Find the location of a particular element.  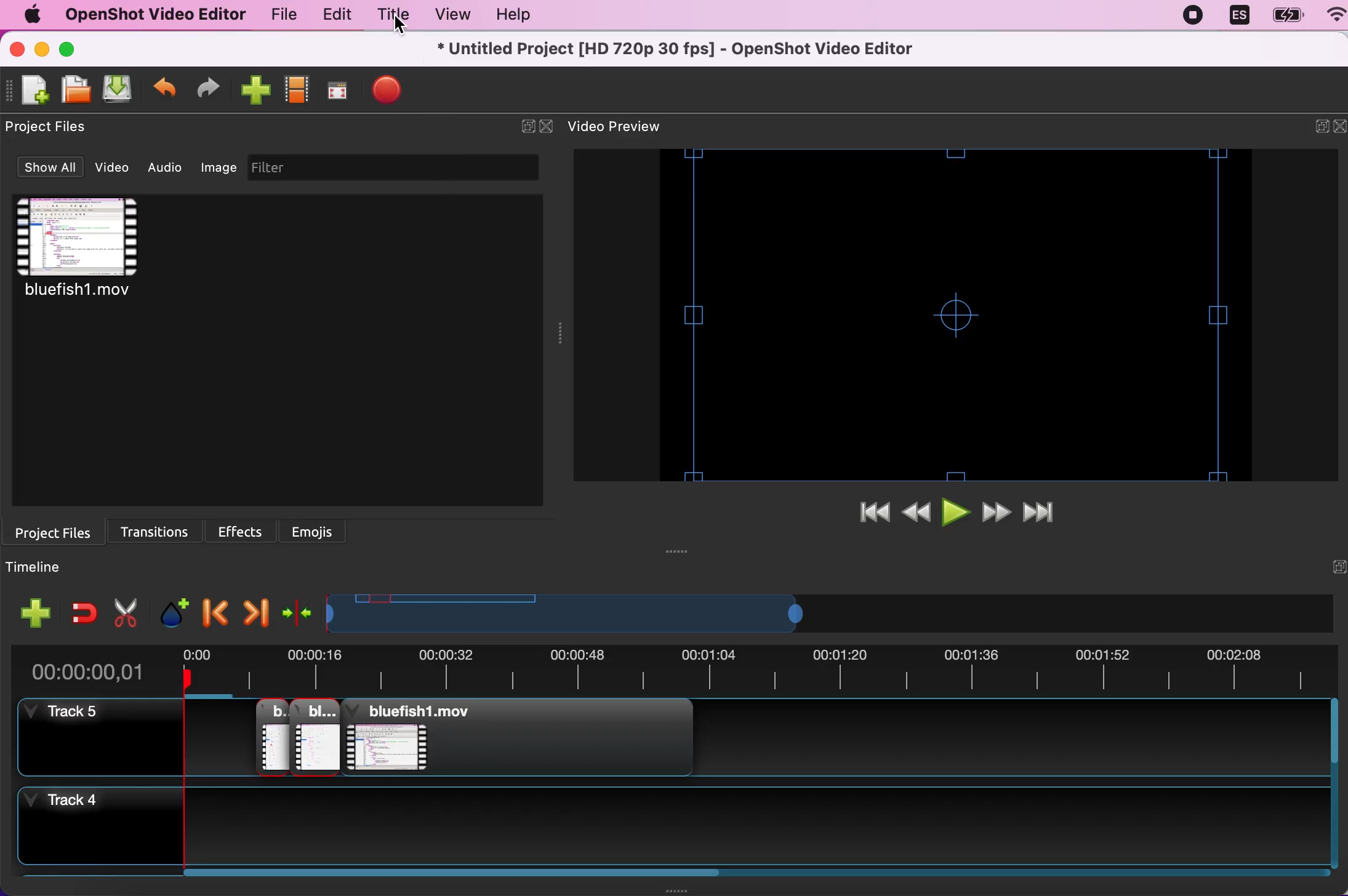

save project is located at coordinates (116, 90).